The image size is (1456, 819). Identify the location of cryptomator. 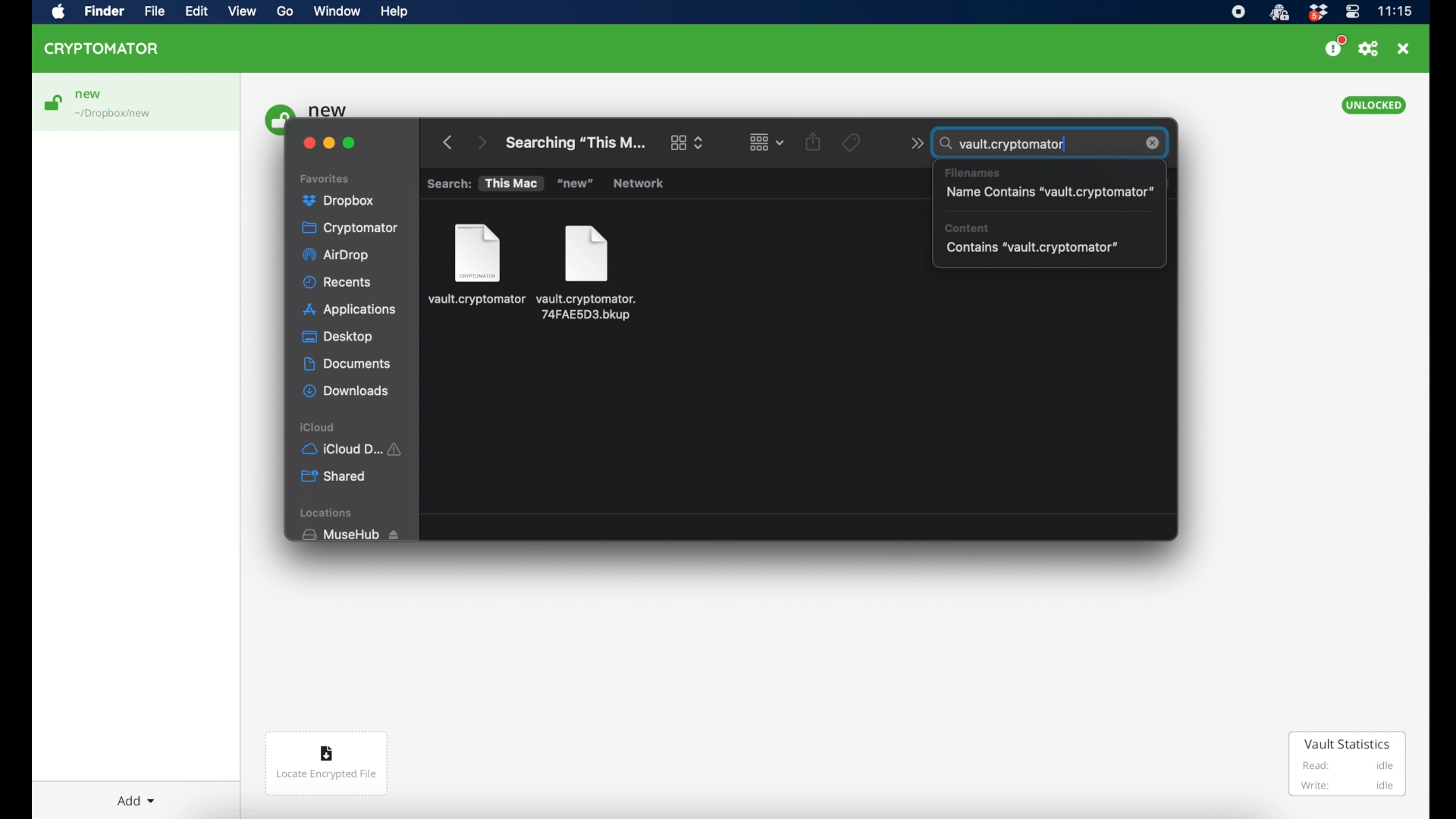
(102, 49).